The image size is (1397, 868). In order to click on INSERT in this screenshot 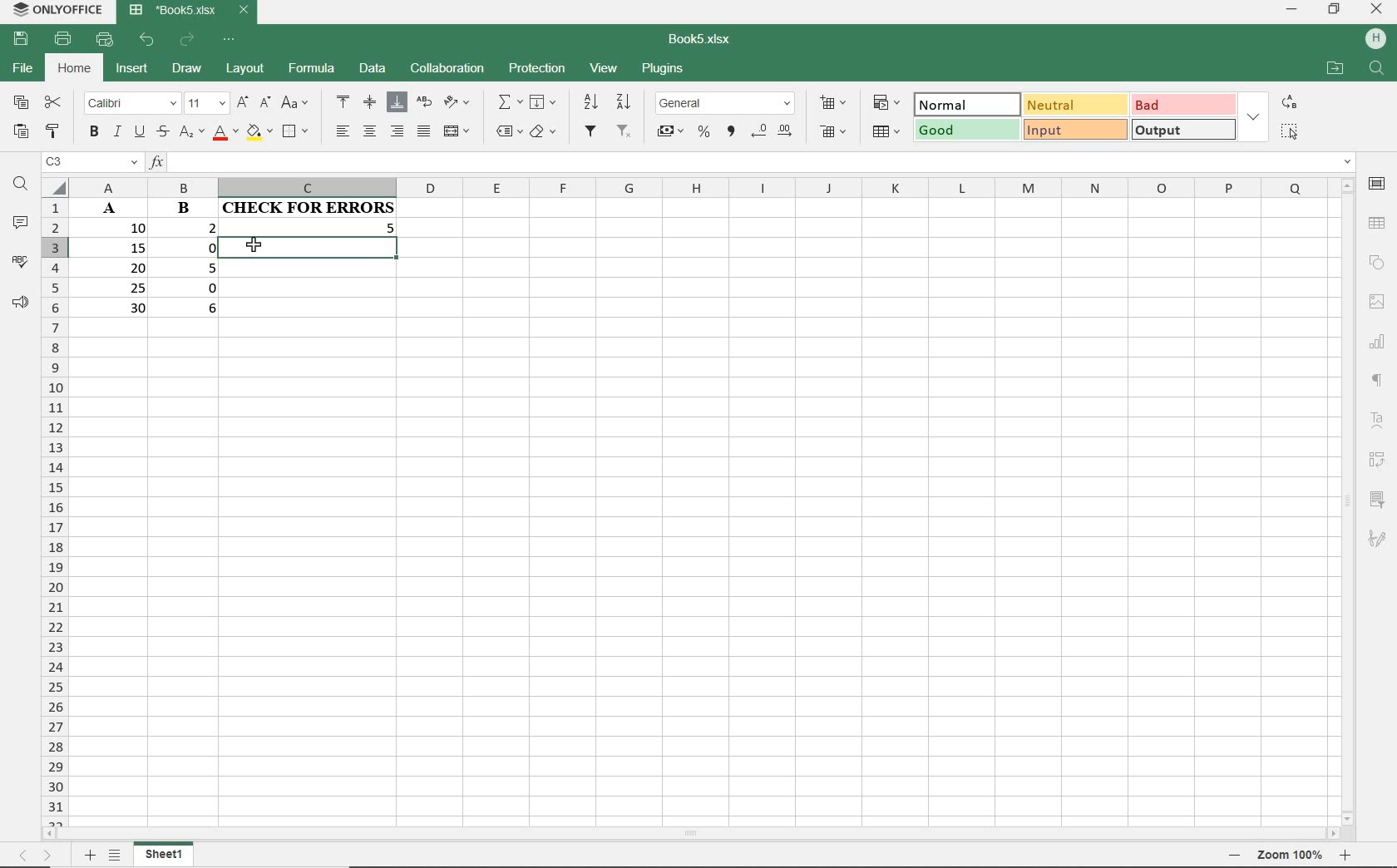, I will do `click(131, 68)`.